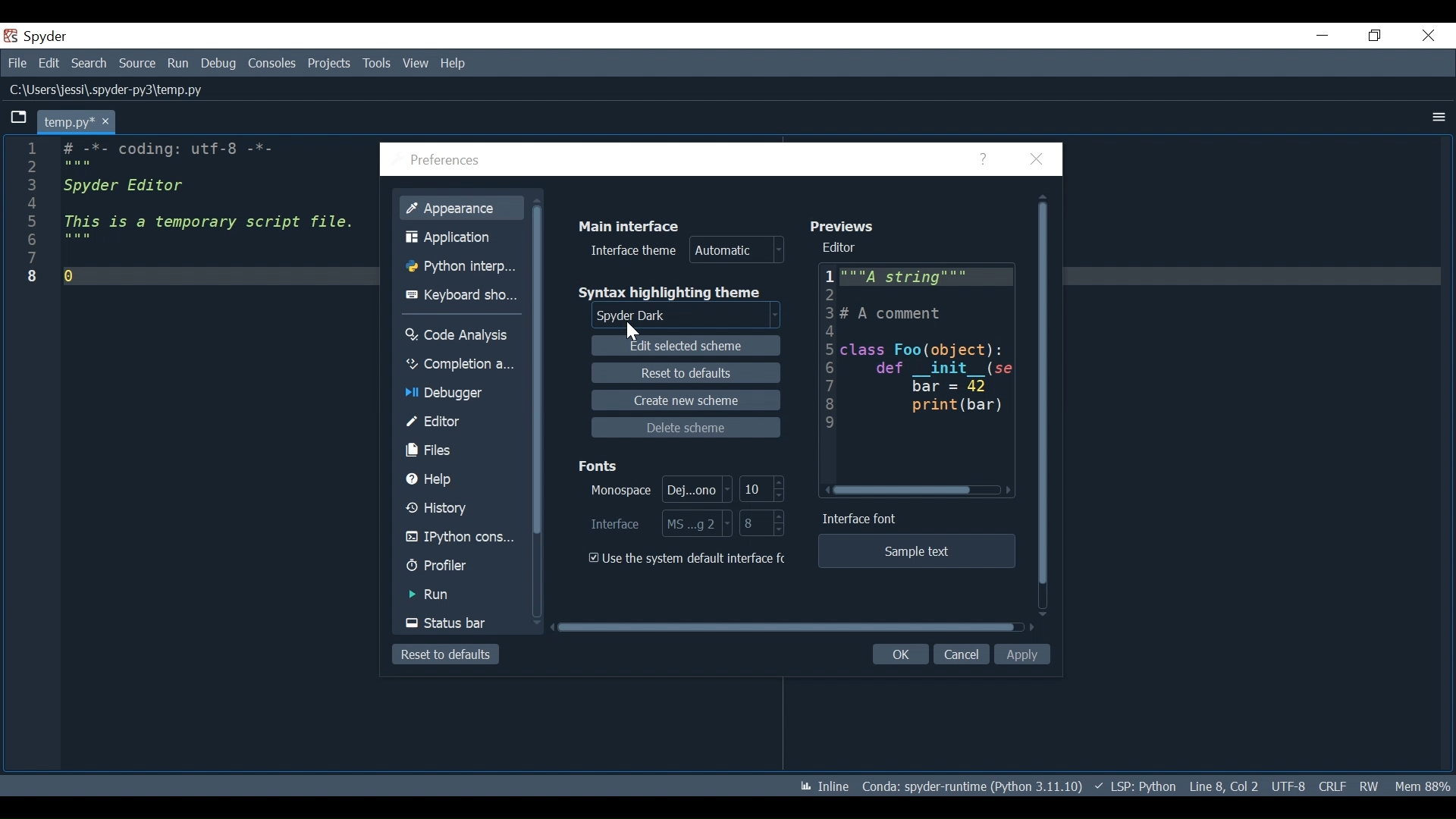 The image size is (1456, 819). Describe the element at coordinates (462, 239) in the screenshot. I see `Application` at that location.